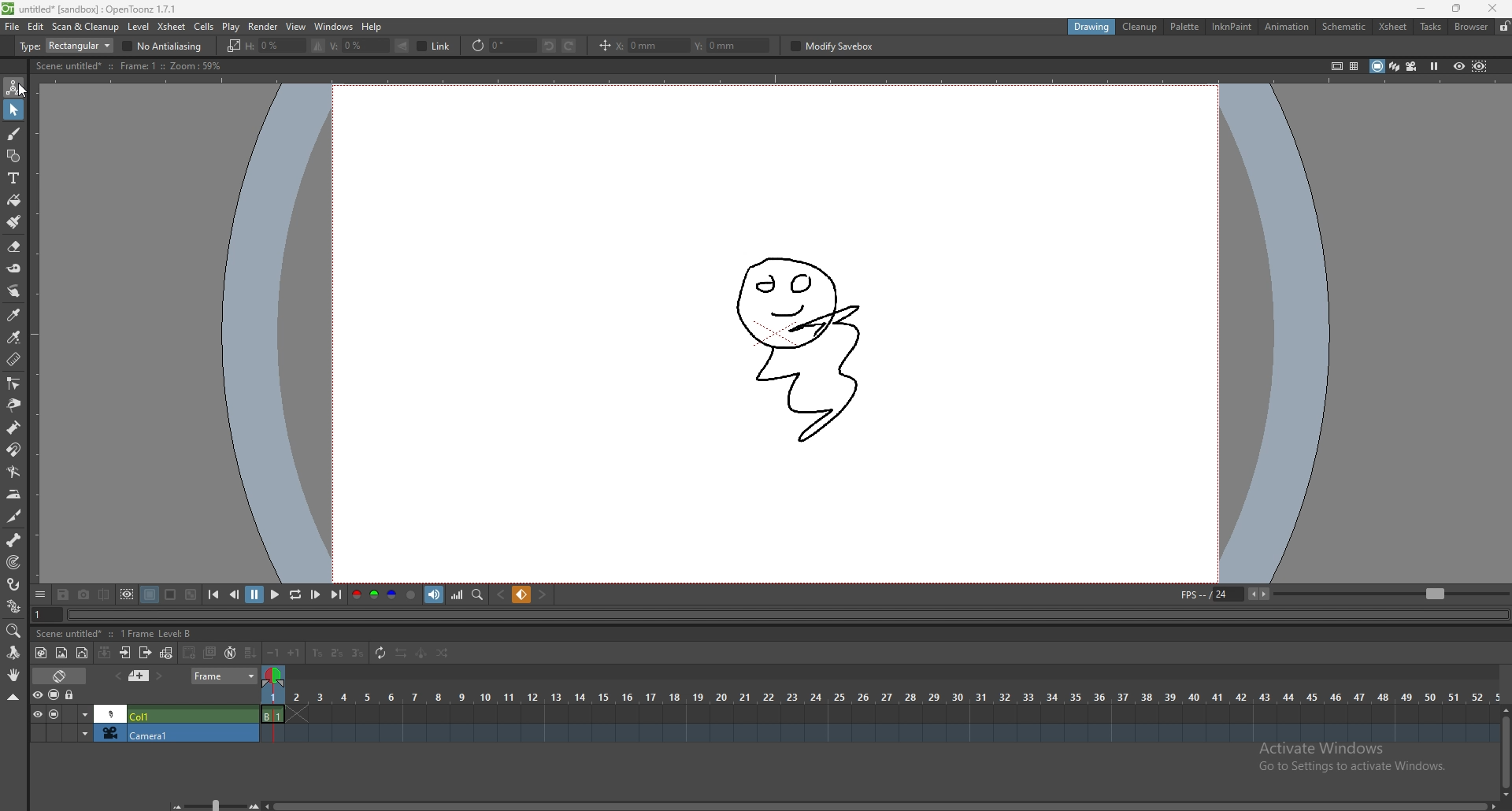 Image resolution: width=1512 pixels, height=811 pixels. Describe the element at coordinates (1340, 594) in the screenshot. I see `fps` at that location.